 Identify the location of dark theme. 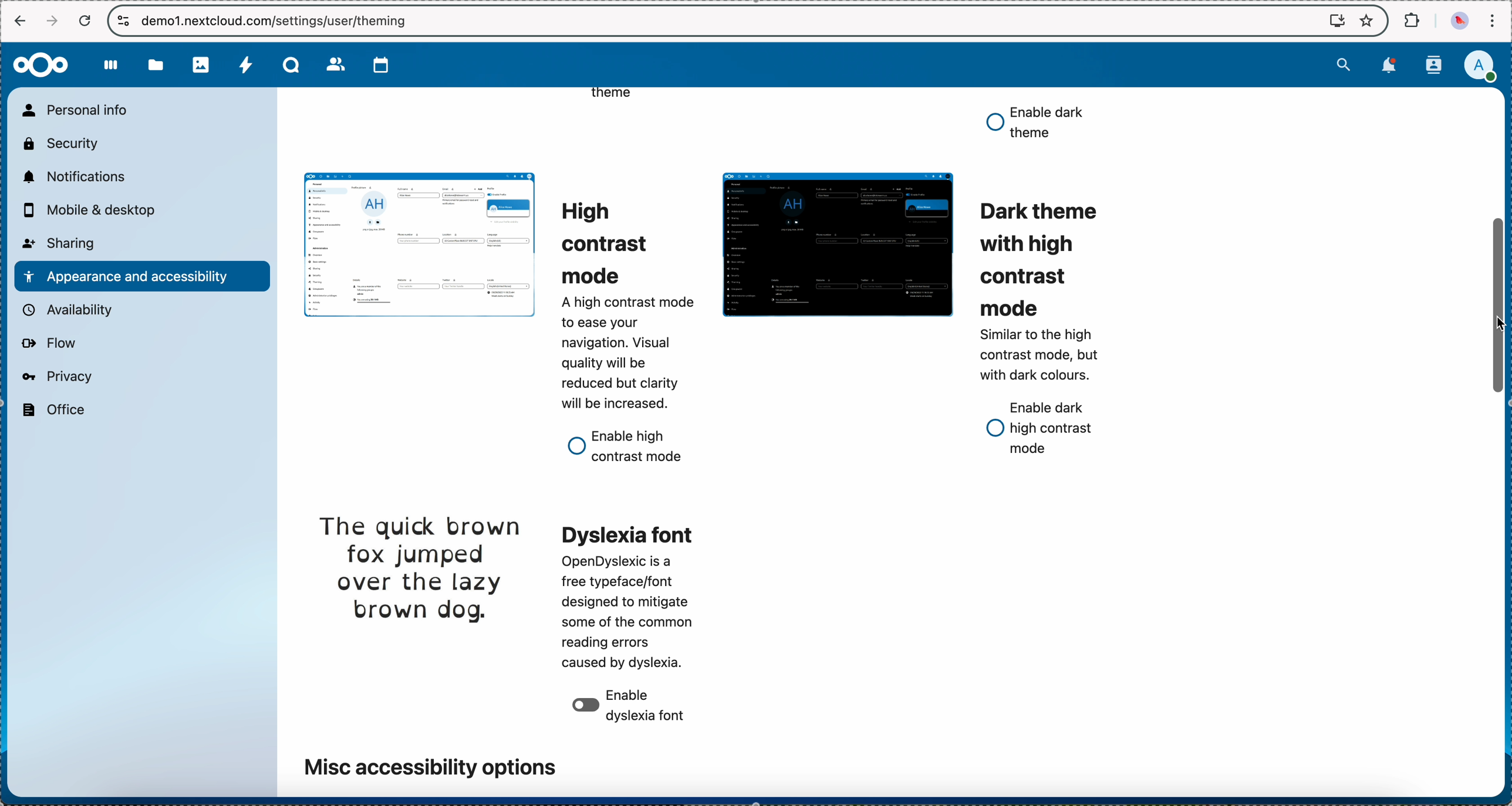
(1035, 258).